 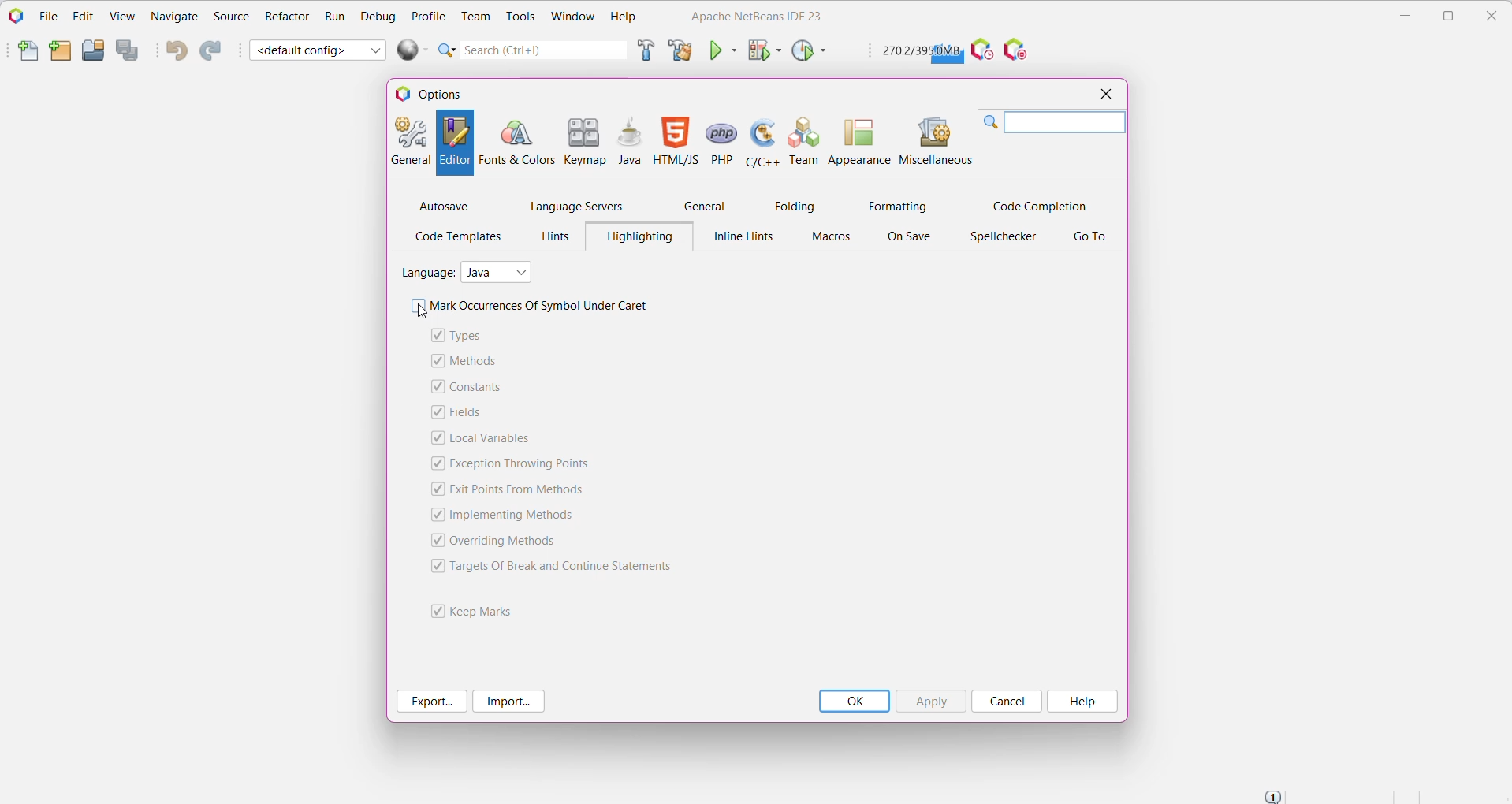 What do you see at coordinates (981, 50) in the screenshot?
I see `Profile the IDE` at bounding box center [981, 50].